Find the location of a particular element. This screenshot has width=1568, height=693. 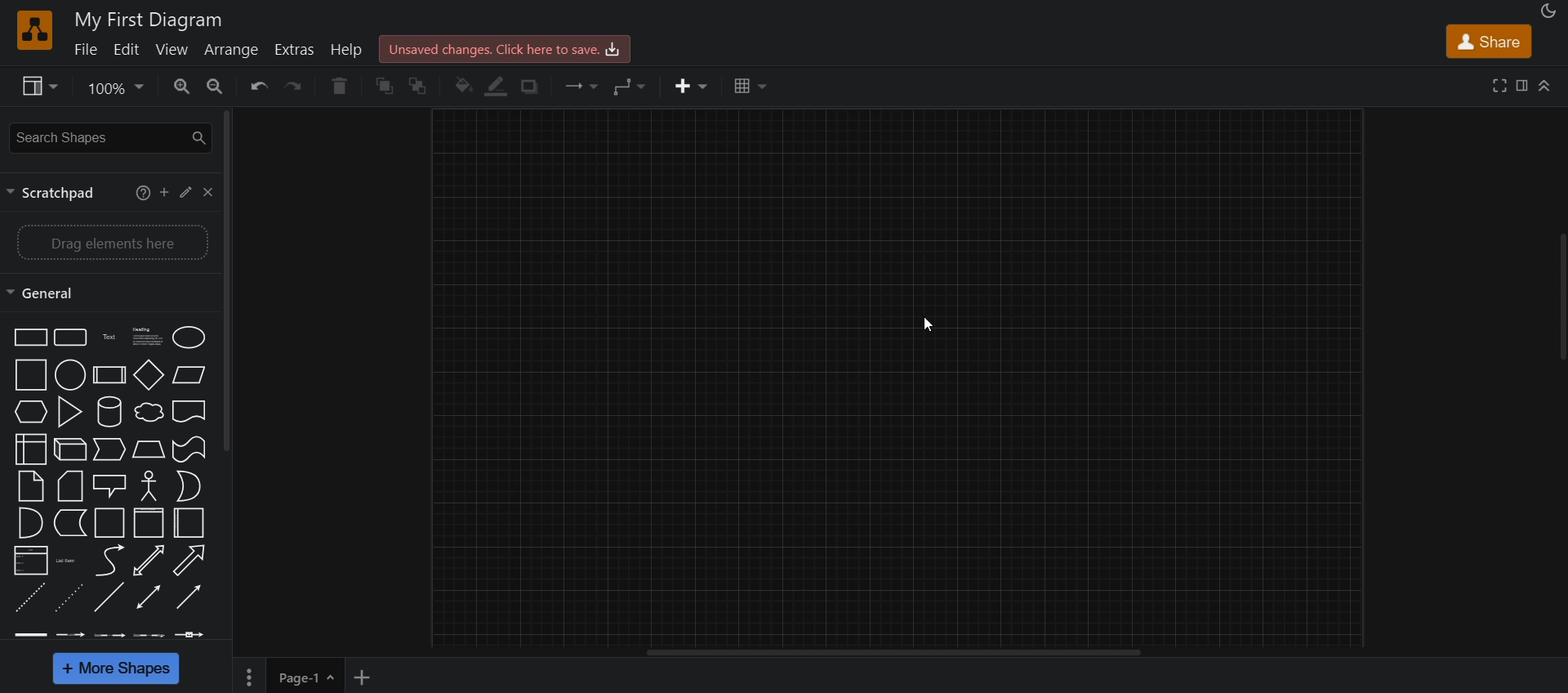

connection is located at coordinates (577, 85).